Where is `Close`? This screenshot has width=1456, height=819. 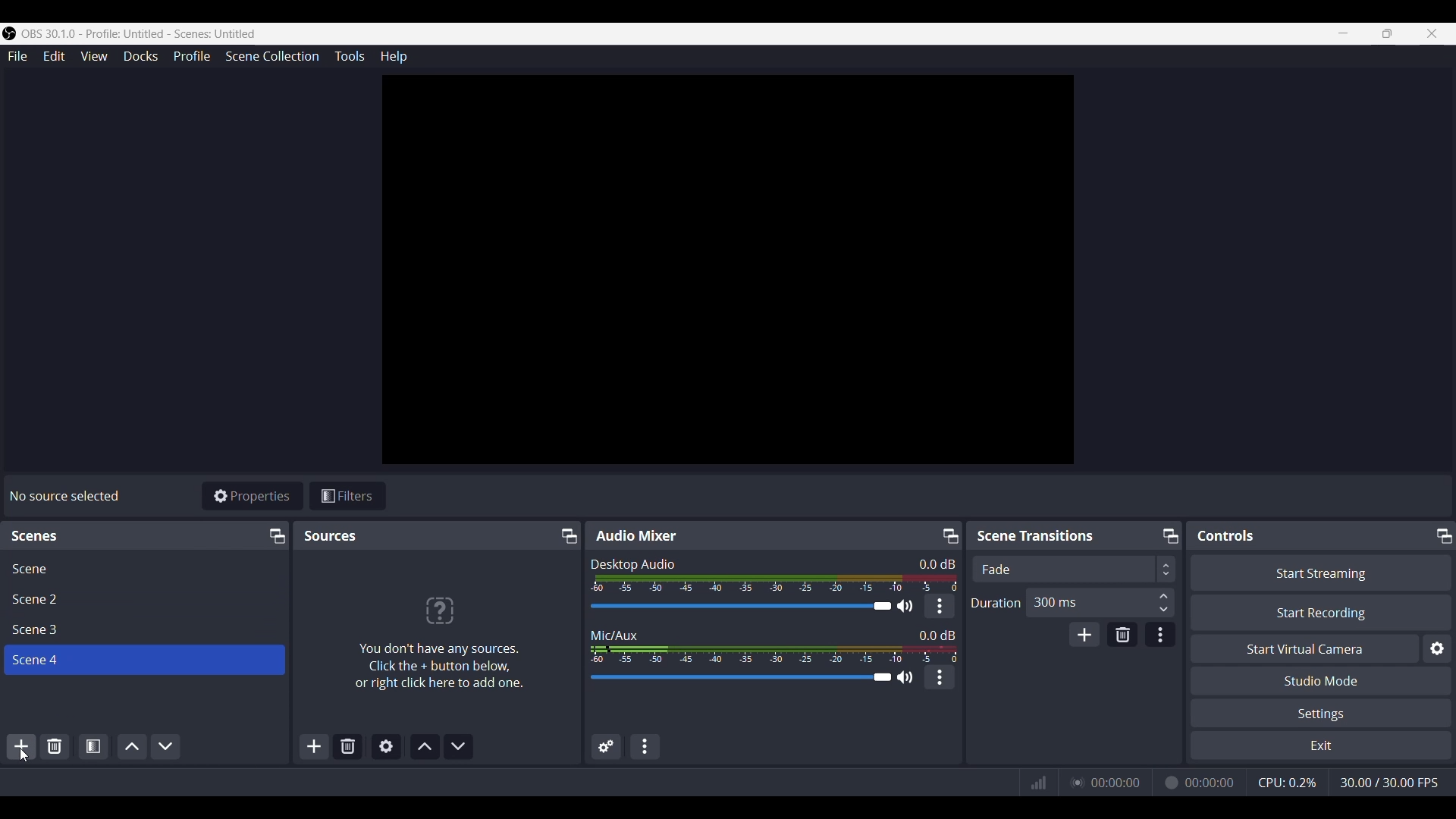 Close is located at coordinates (1435, 33).